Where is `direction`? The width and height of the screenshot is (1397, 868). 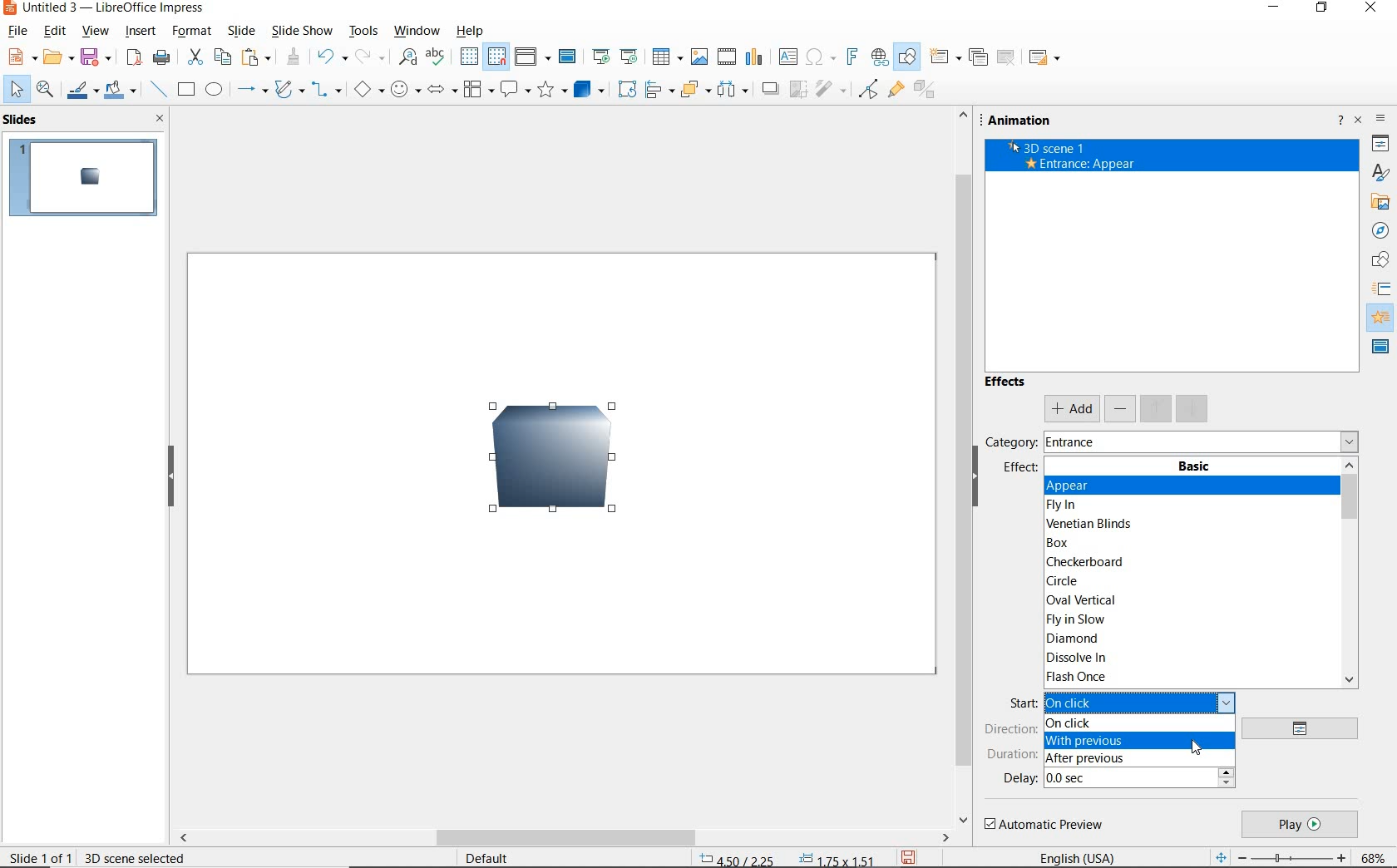
direction is located at coordinates (1010, 729).